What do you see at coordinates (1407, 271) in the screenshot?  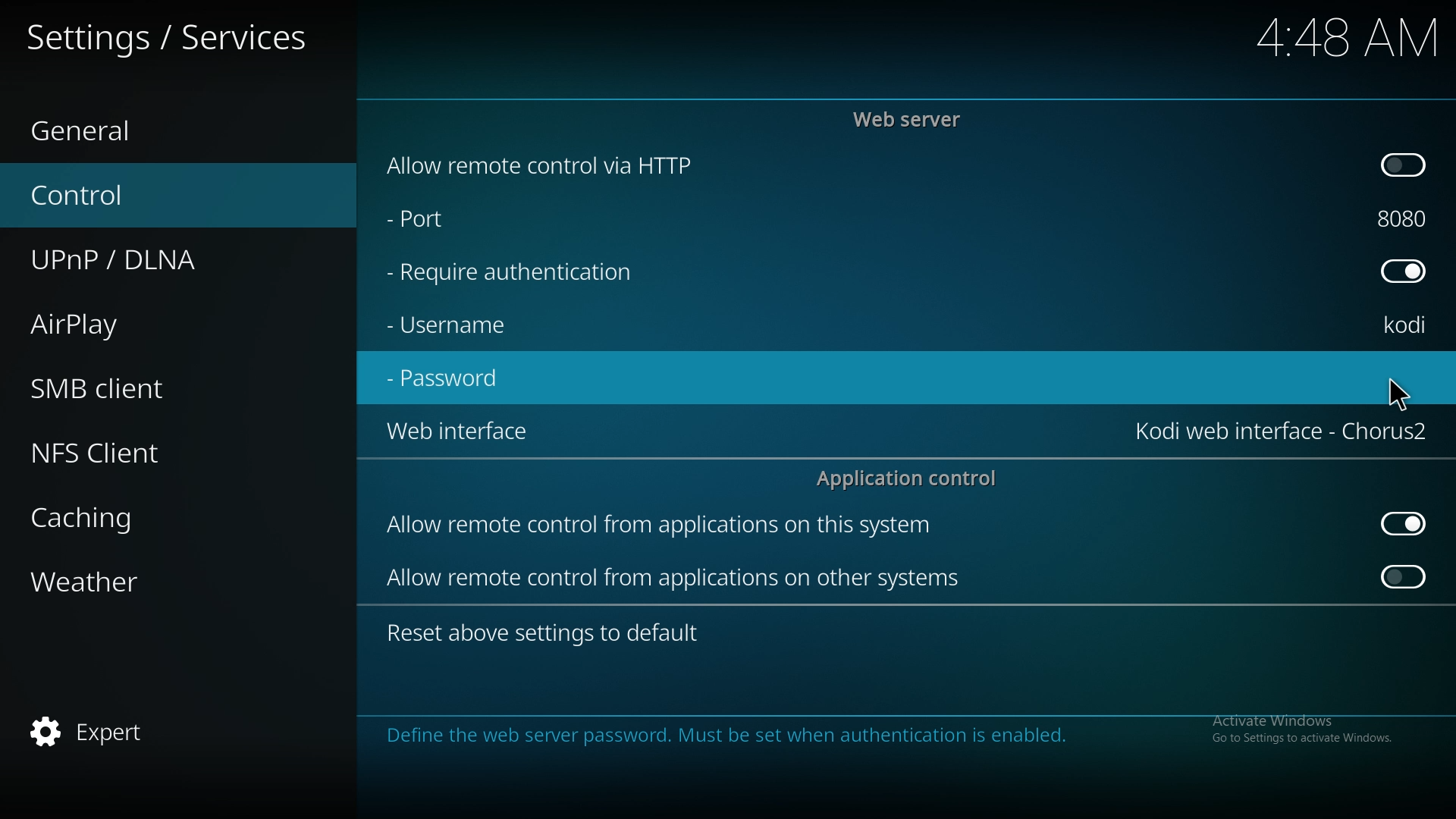 I see `off` at bounding box center [1407, 271].